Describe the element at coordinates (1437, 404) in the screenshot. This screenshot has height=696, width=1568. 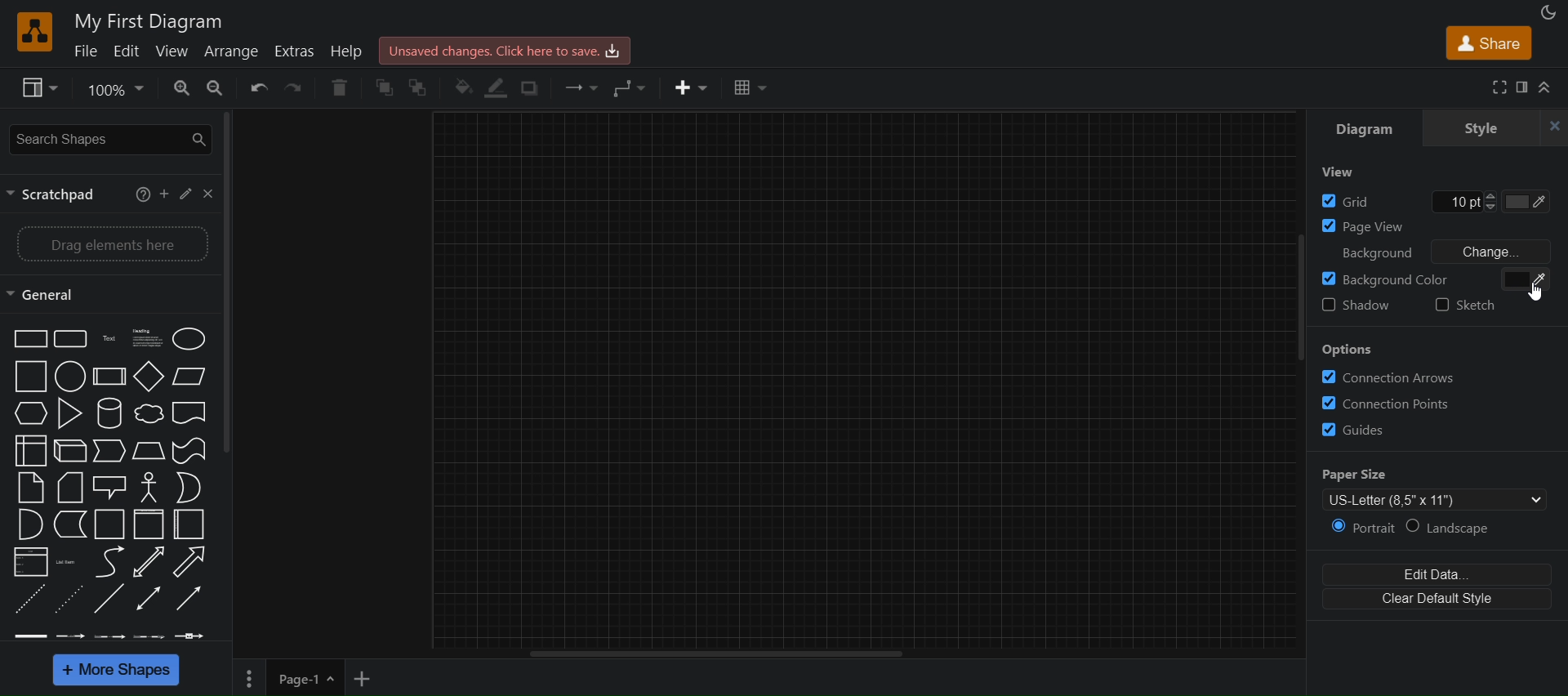
I see `connection points` at that location.